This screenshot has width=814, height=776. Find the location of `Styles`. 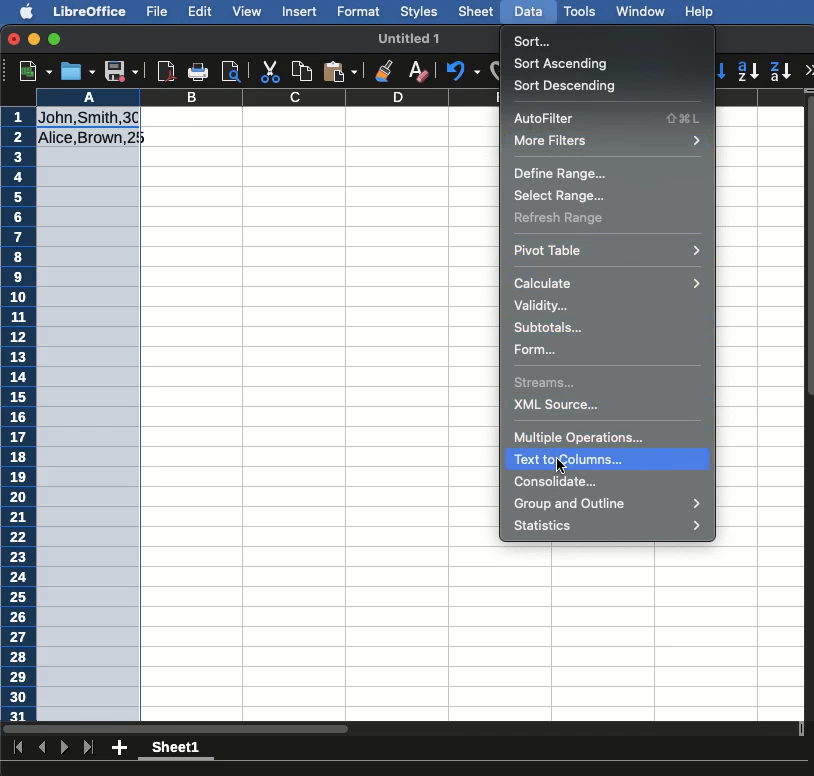

Styles is located at coordinates (420, 13).